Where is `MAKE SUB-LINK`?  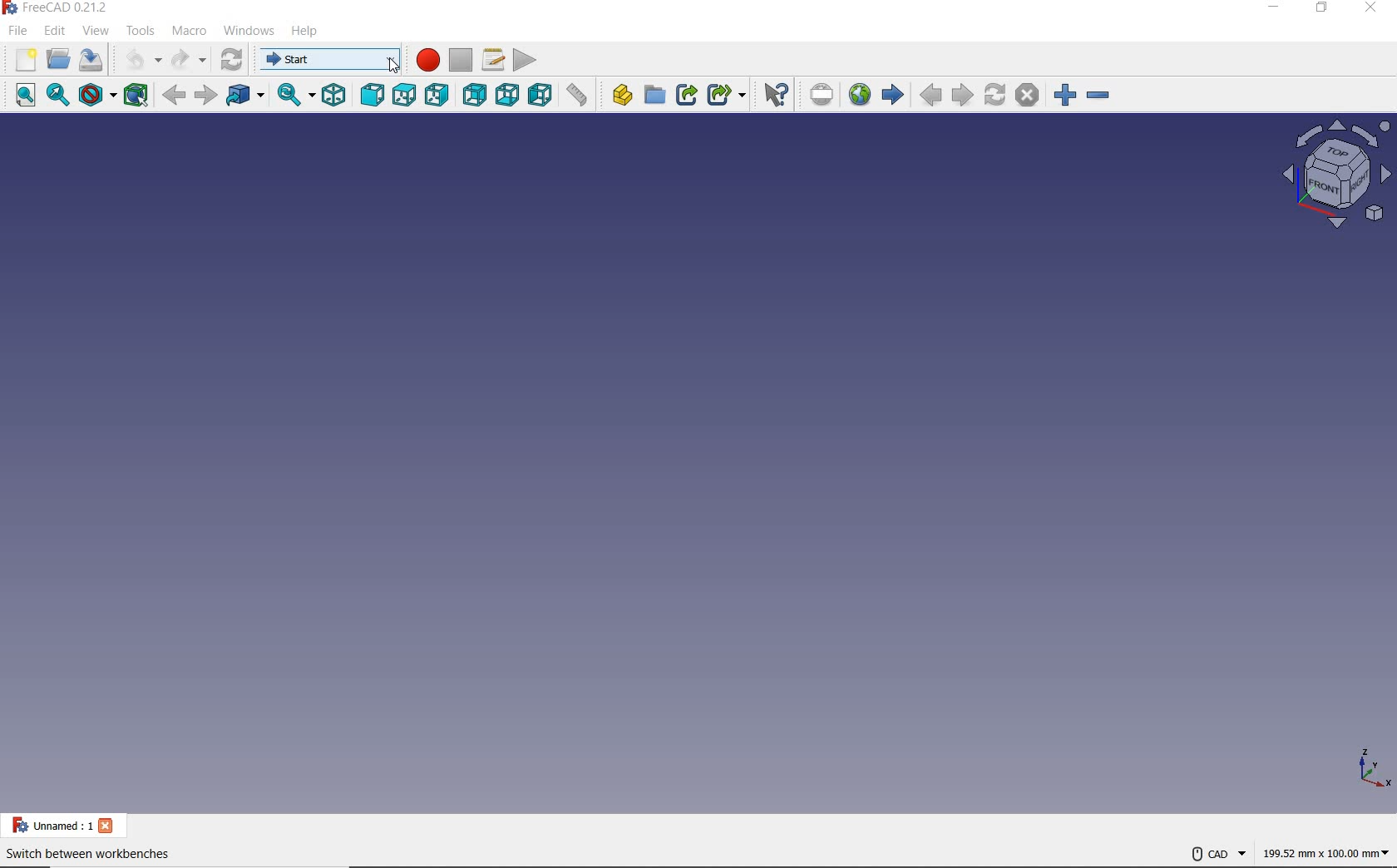
MAKE SUB-LINK is located at coordinates (726, 94).